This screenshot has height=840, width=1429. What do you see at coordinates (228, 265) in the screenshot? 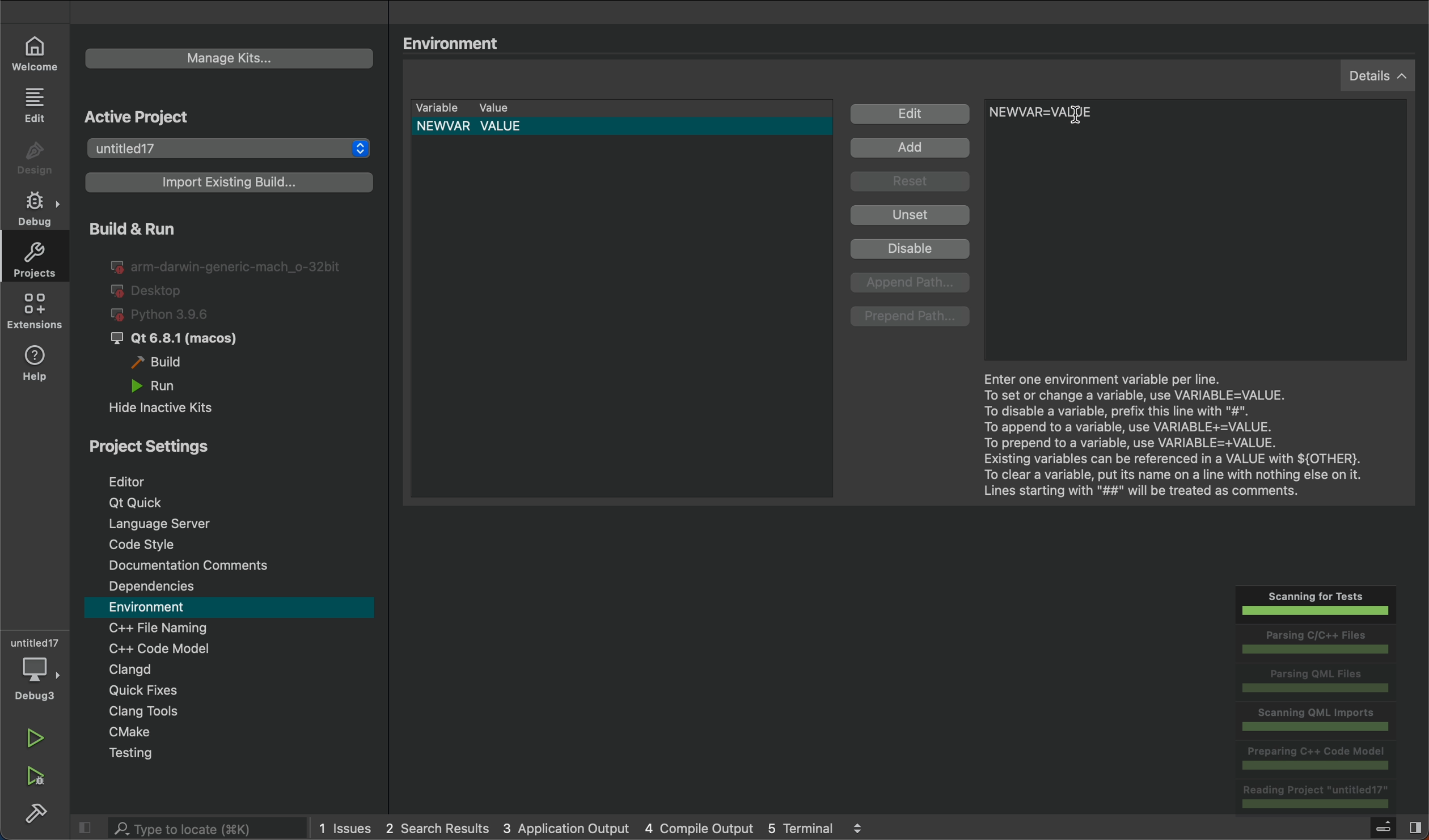
I see `I@ arm-darwin-generic-mach_o-32bit` at bounding box center [228, 265].